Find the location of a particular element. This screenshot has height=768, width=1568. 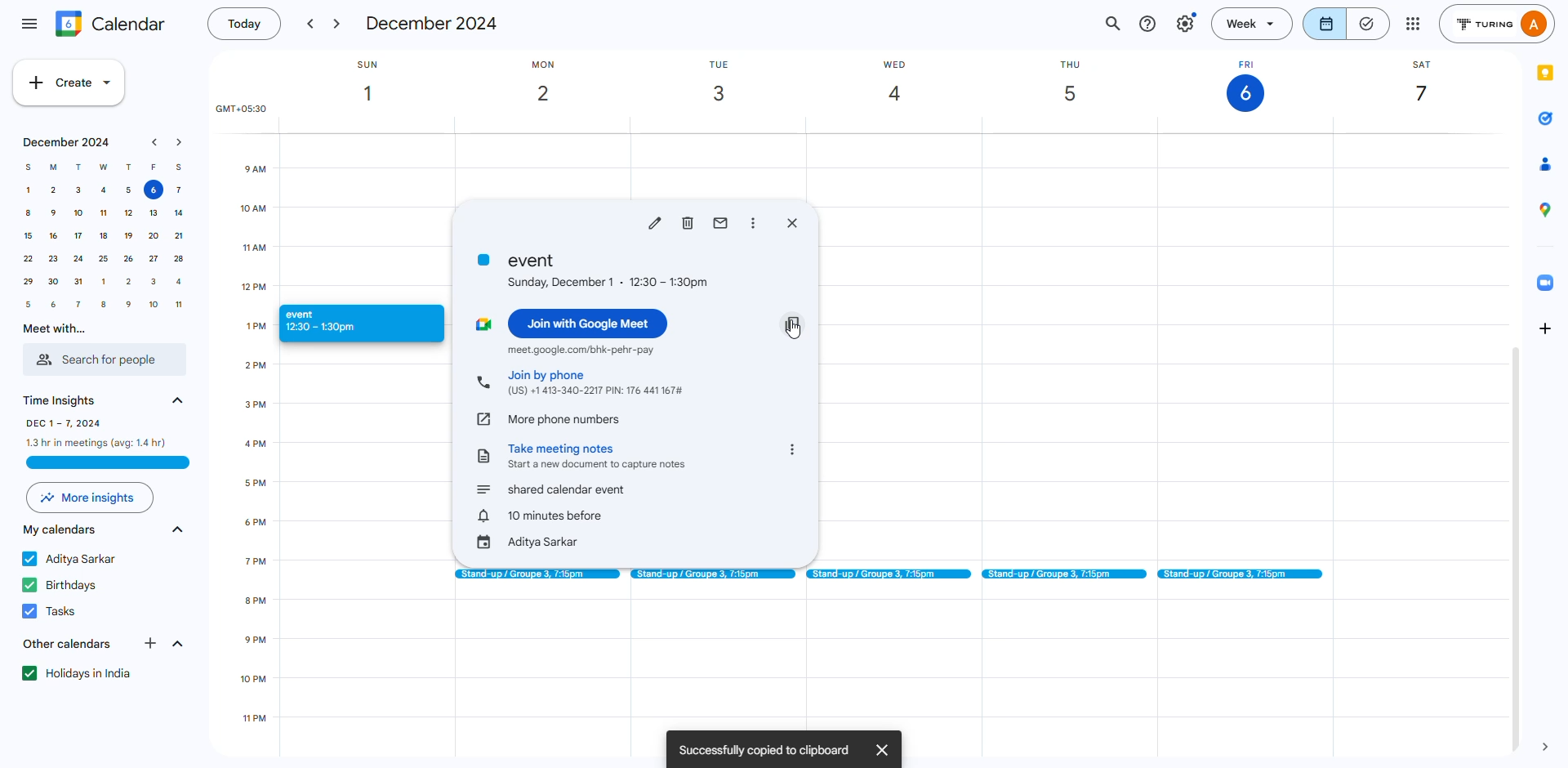

20 is located at coordinates (154, 237).